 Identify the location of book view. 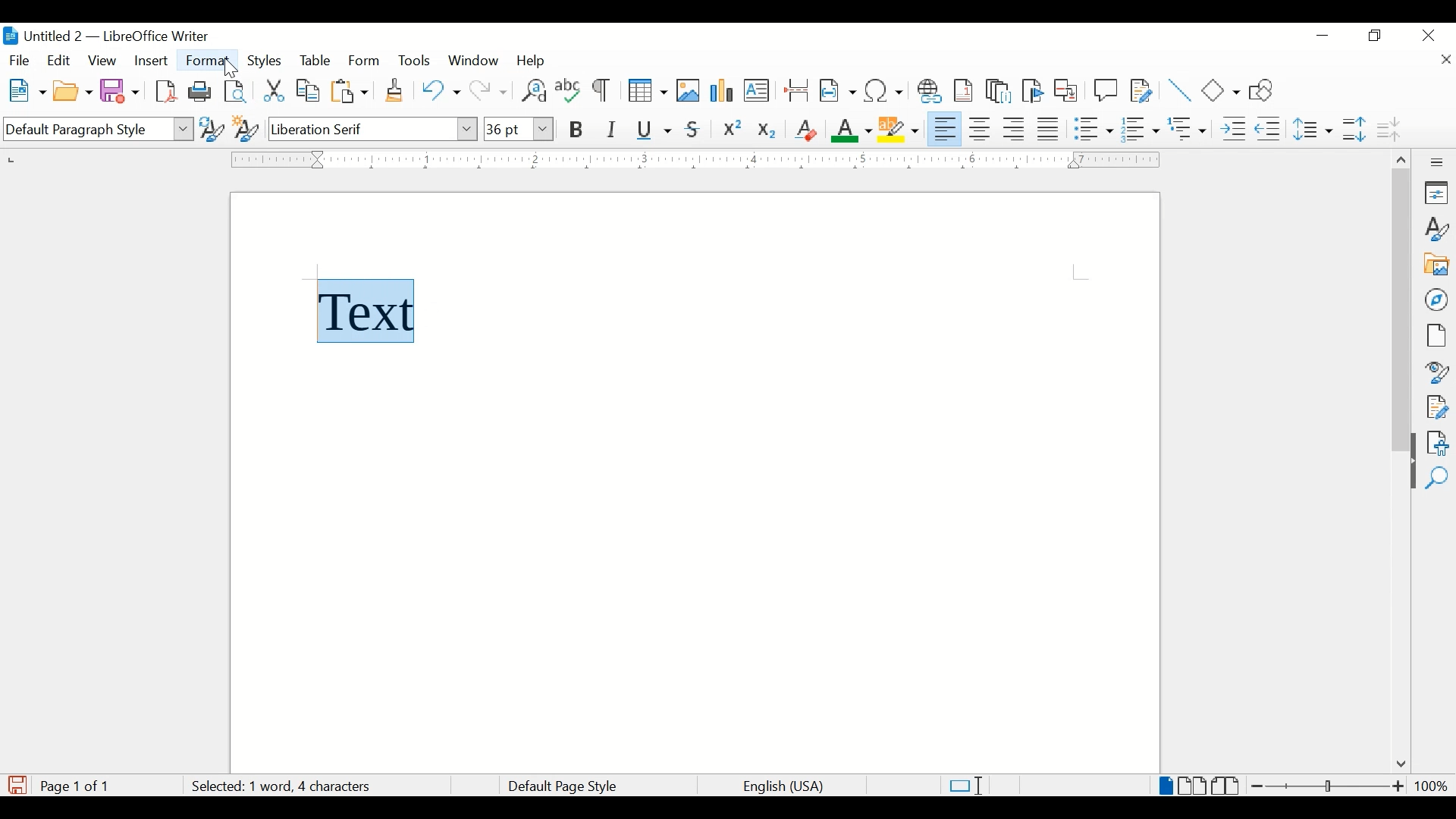
(1228, 786).